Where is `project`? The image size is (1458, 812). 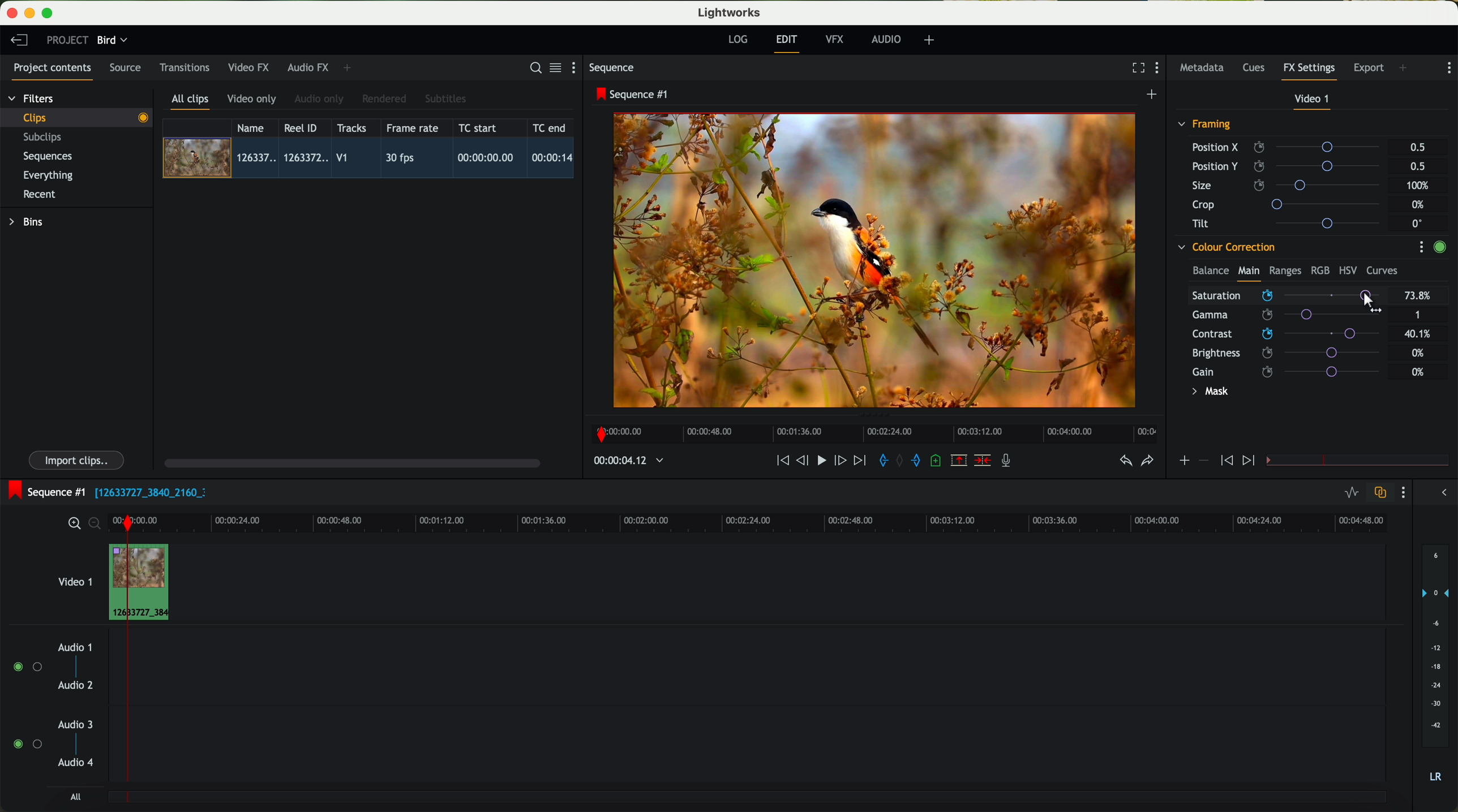 project is located at coordinates (67, 40).